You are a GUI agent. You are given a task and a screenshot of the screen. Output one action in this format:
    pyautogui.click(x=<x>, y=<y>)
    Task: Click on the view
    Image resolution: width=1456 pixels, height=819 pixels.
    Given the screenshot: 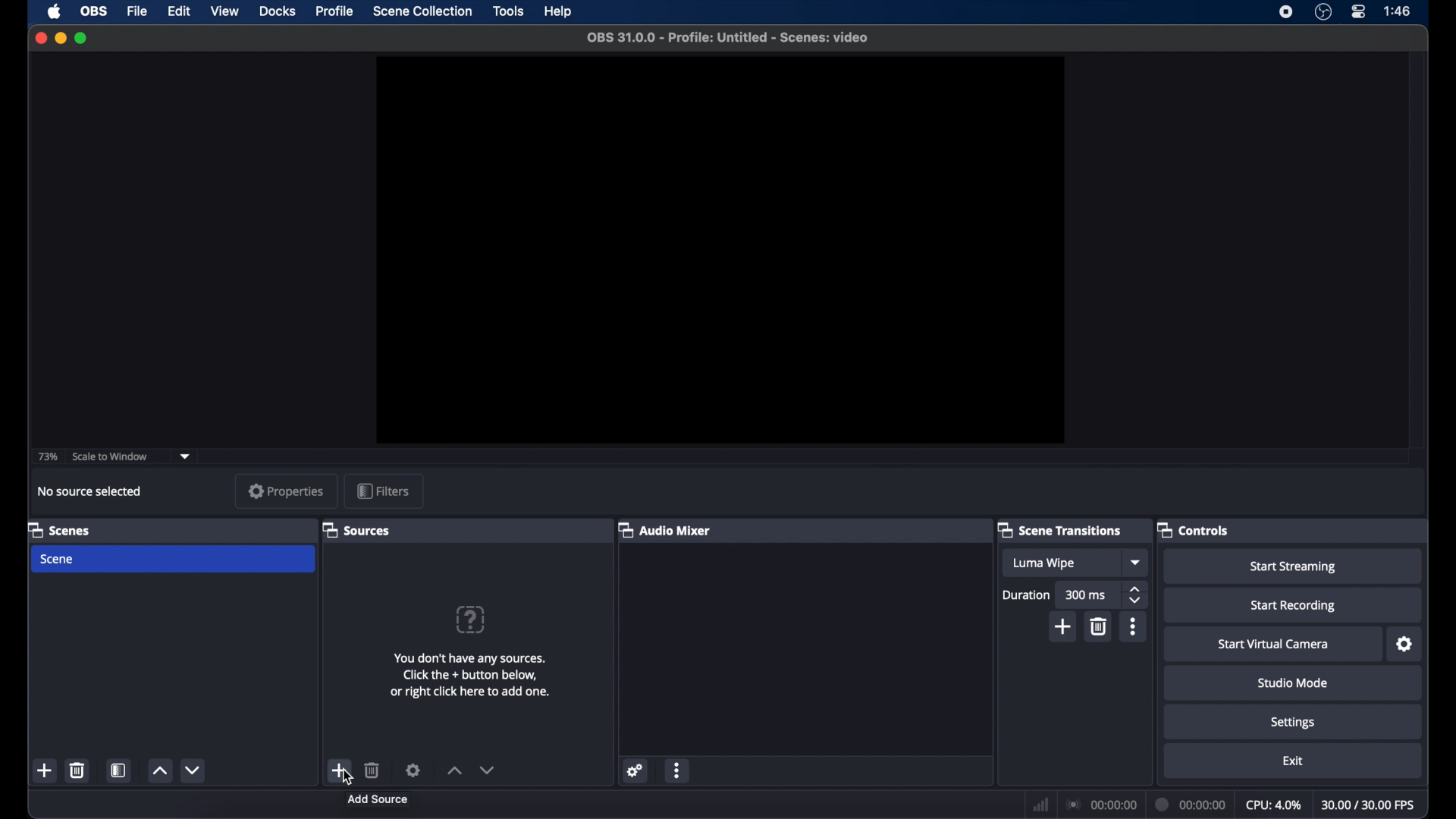 What is the action you would take?
    pyautogui.click(x=224, y=10)
    